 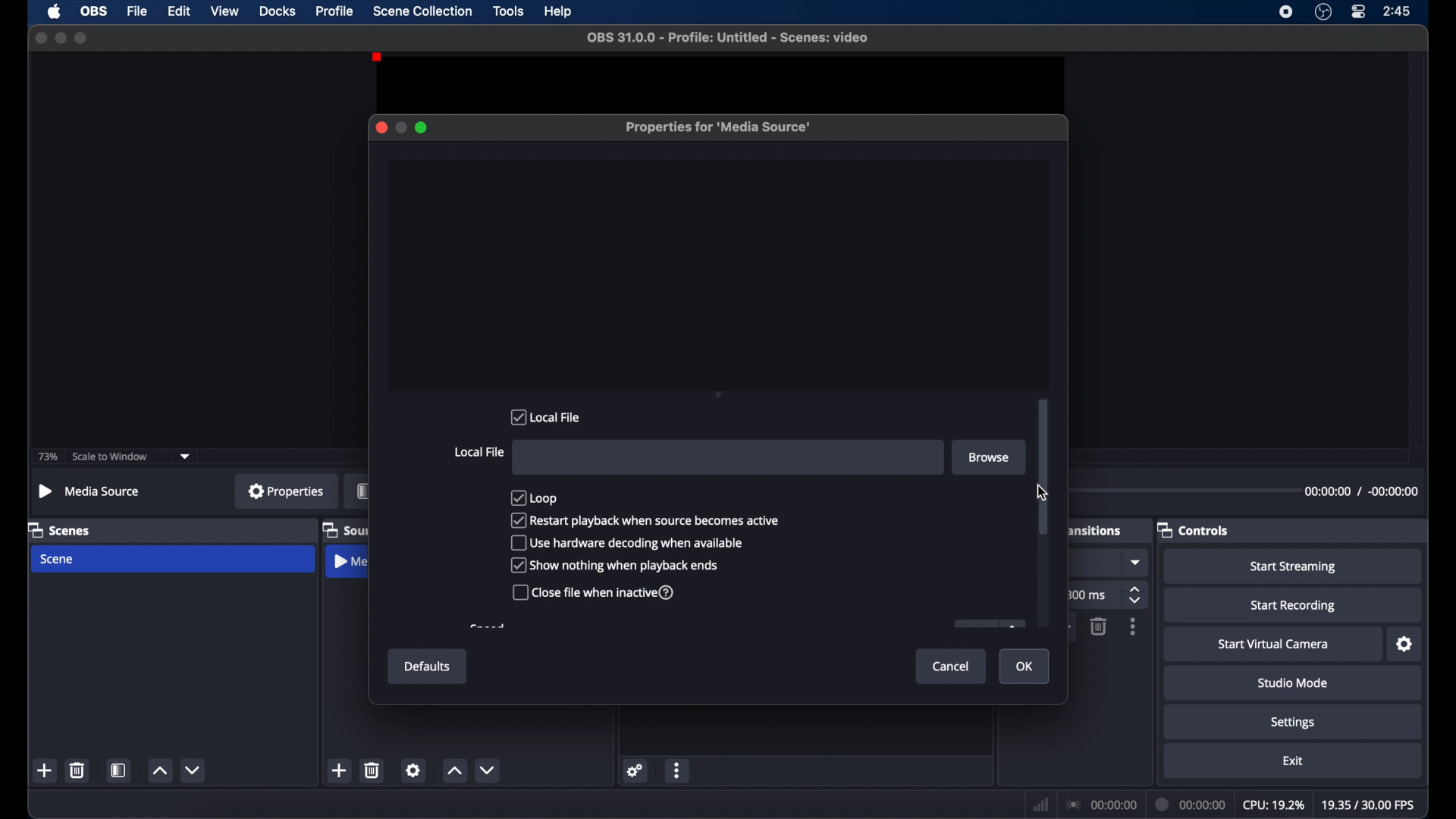 What do you see at coordinates (278, 11) in the screenshot?
I see `docks` at bounding box center [278, 11].